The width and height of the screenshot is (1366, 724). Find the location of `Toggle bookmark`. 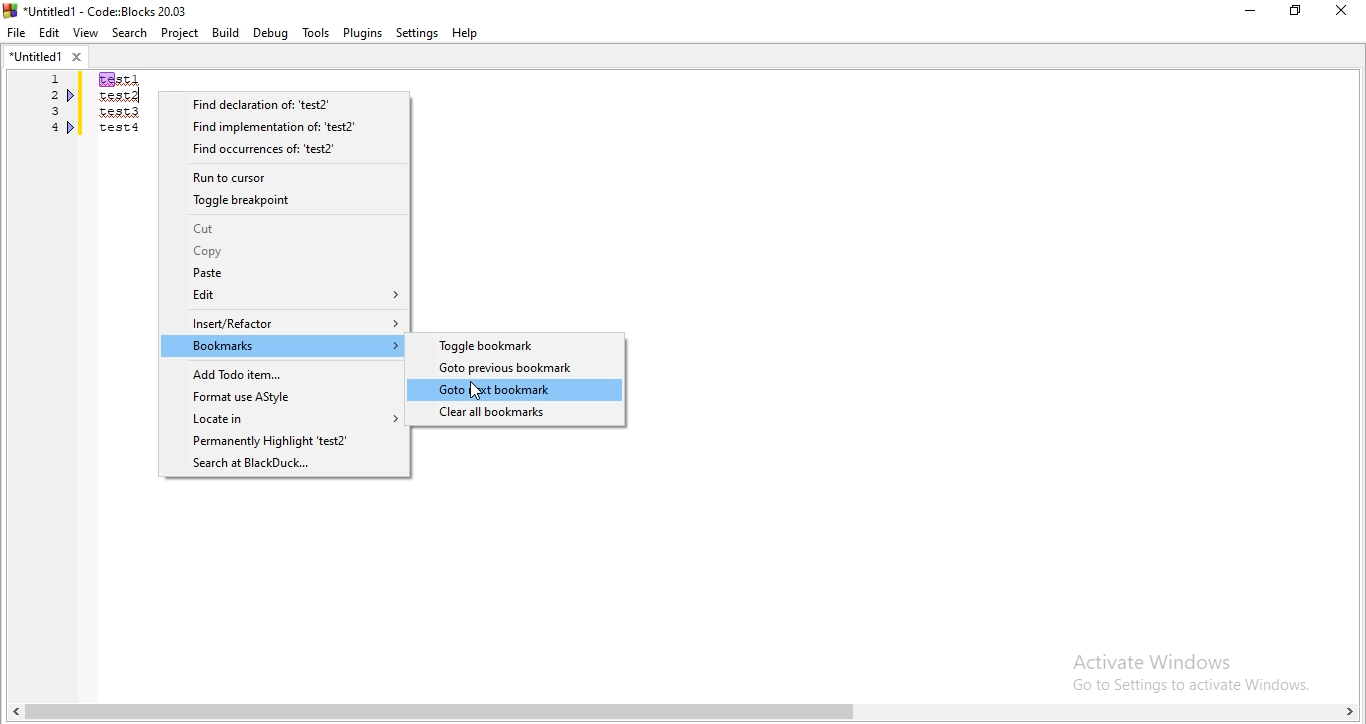

Toggle bookmark is located at coordinates (517, 346).